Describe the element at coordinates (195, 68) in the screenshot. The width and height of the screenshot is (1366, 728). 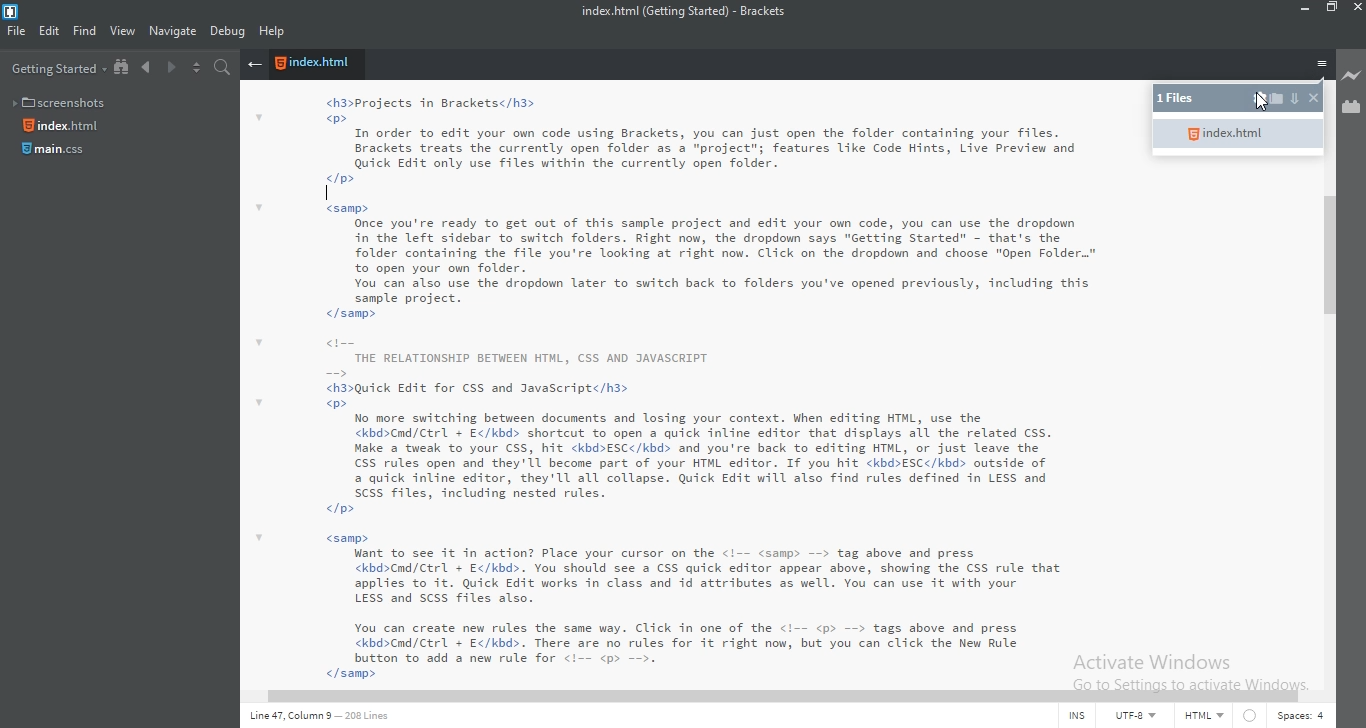
I see `Split the editor vertically or horizontally` at that location.